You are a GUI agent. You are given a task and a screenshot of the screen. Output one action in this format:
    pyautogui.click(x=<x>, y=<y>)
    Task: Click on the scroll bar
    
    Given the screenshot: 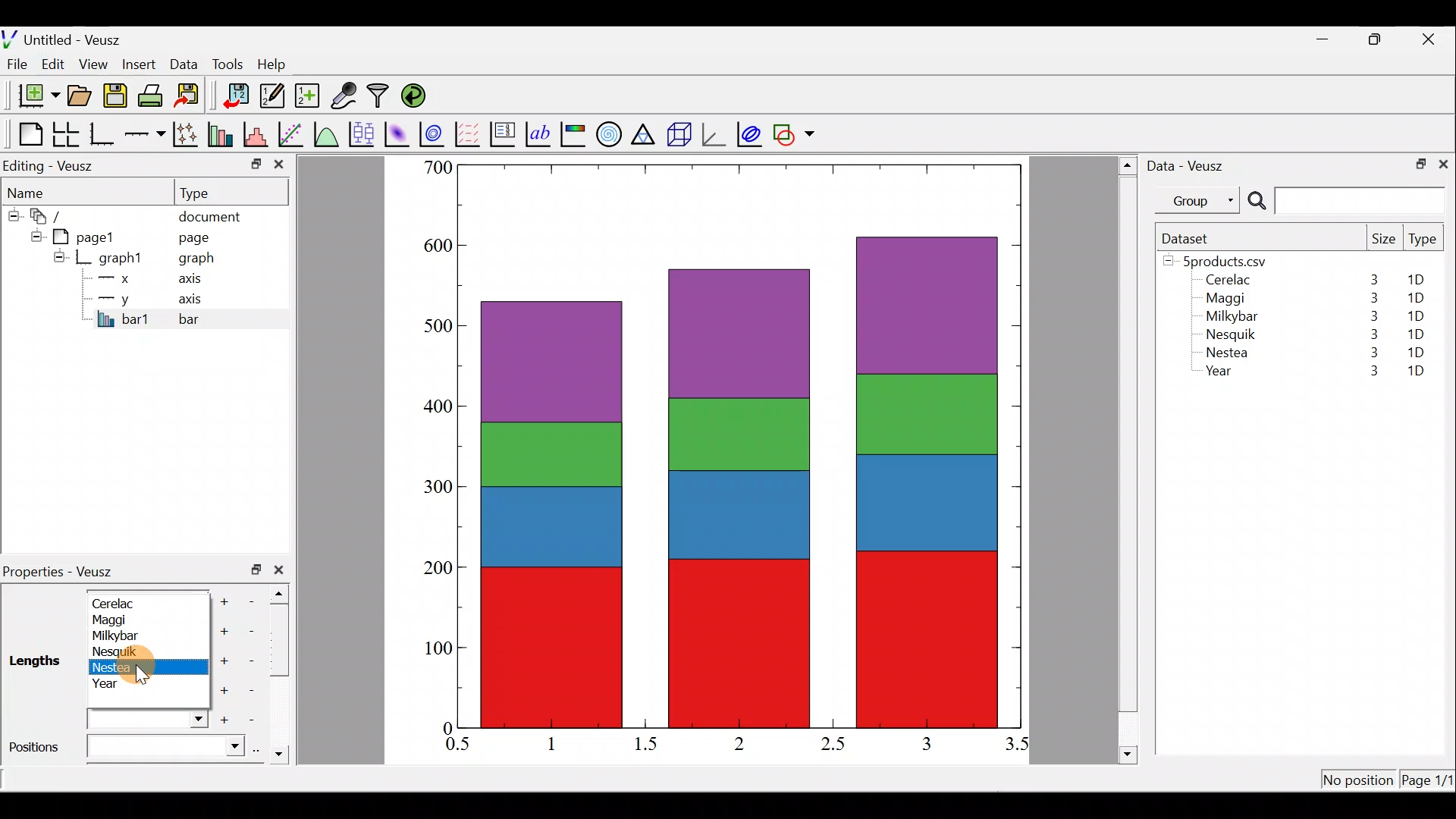 What is the action you would take?
    pyautogui.click(x=1128, y=457)
    